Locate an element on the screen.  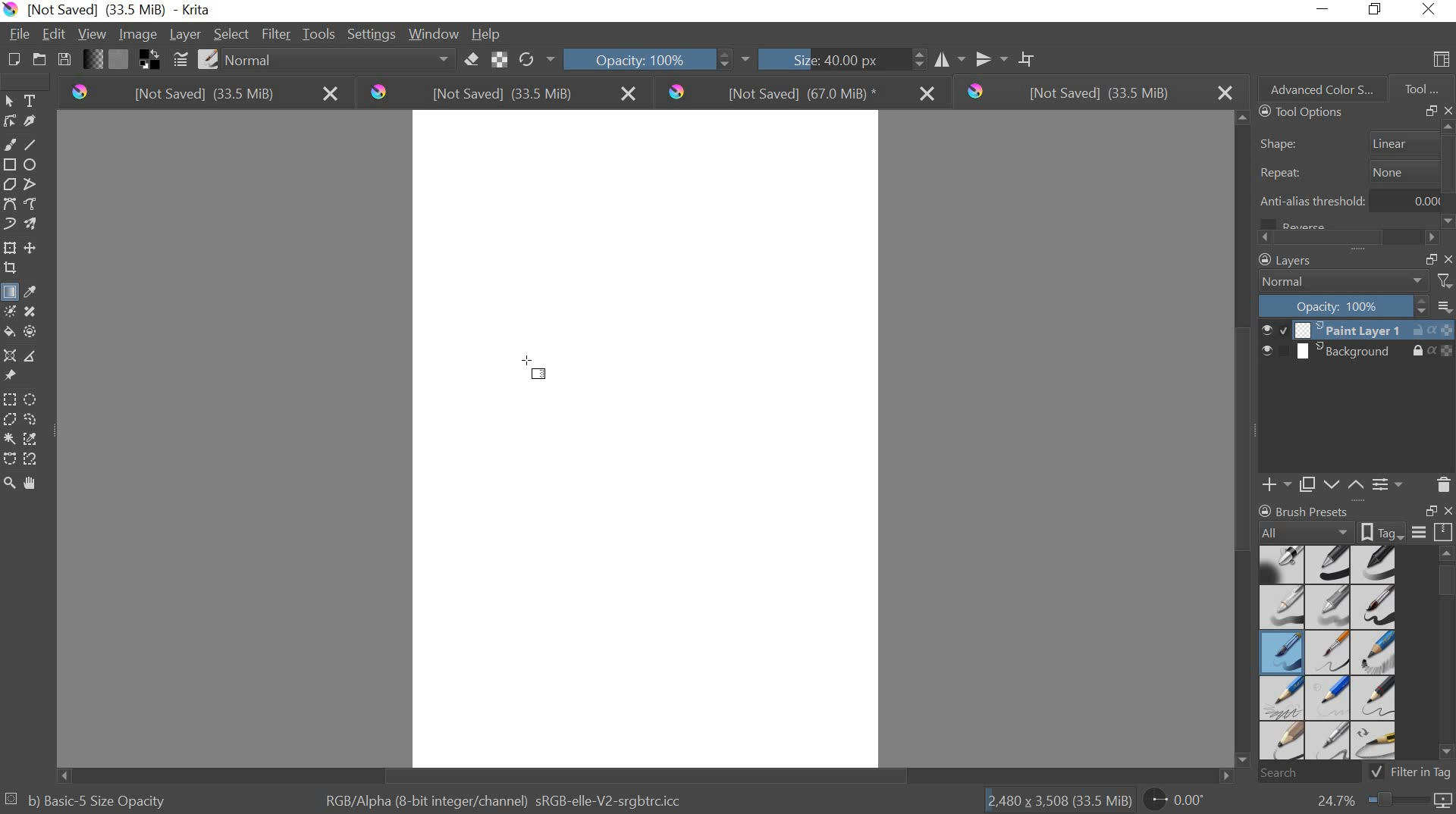
magnetic selection is located at coordinates (33, 459).